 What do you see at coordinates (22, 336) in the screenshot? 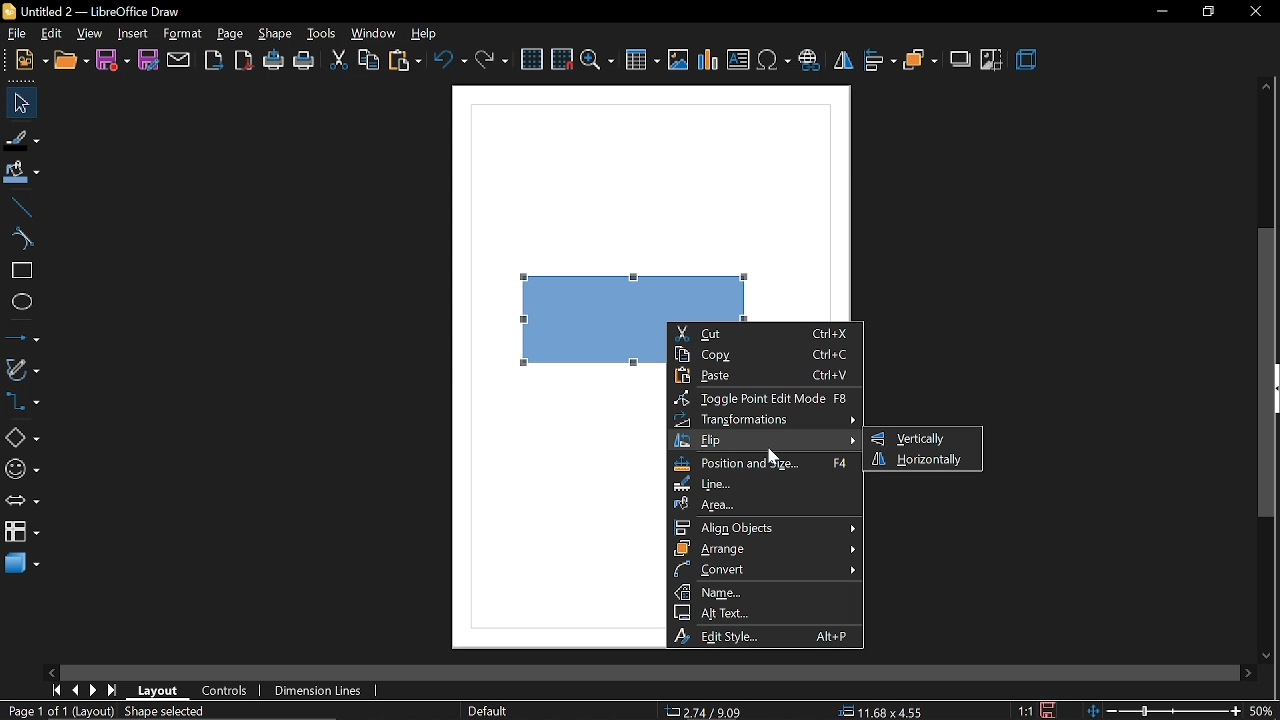
I see `lines and arrows` at bounding box center [22, 336].